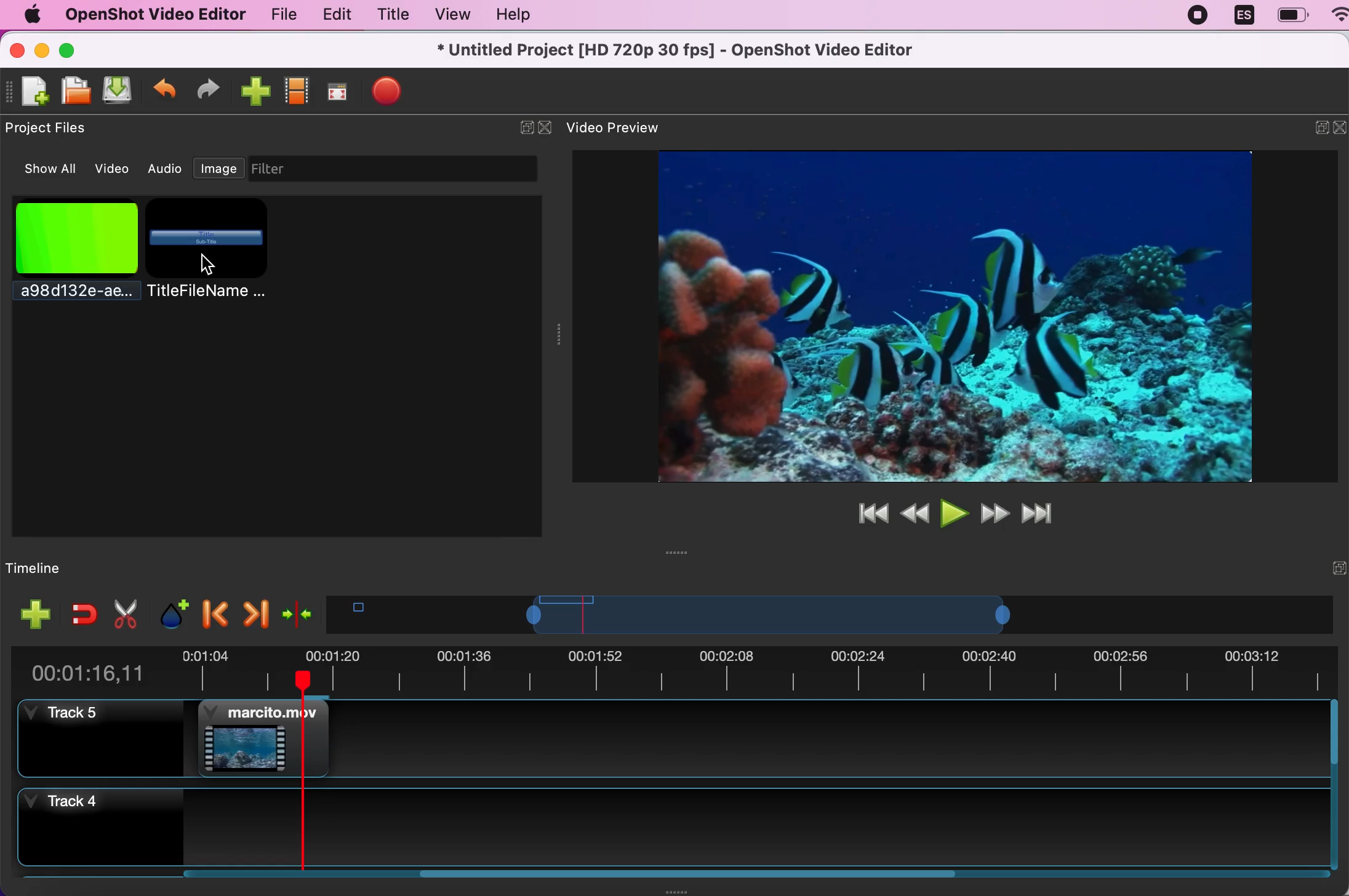  I want to click on add marker, so click(169, 612).